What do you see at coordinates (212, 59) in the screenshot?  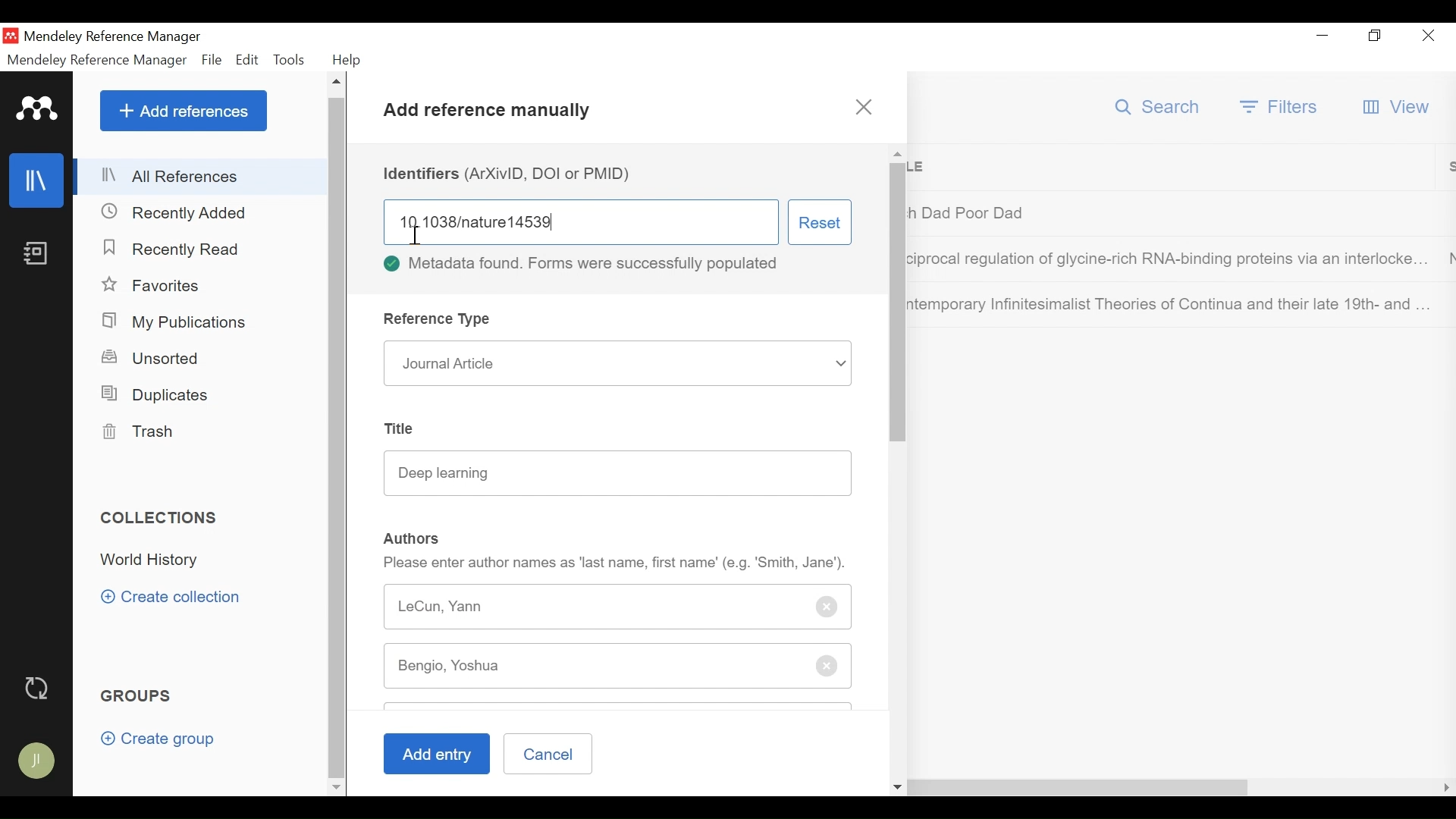 I see `File` at bounding box center [212, 59].